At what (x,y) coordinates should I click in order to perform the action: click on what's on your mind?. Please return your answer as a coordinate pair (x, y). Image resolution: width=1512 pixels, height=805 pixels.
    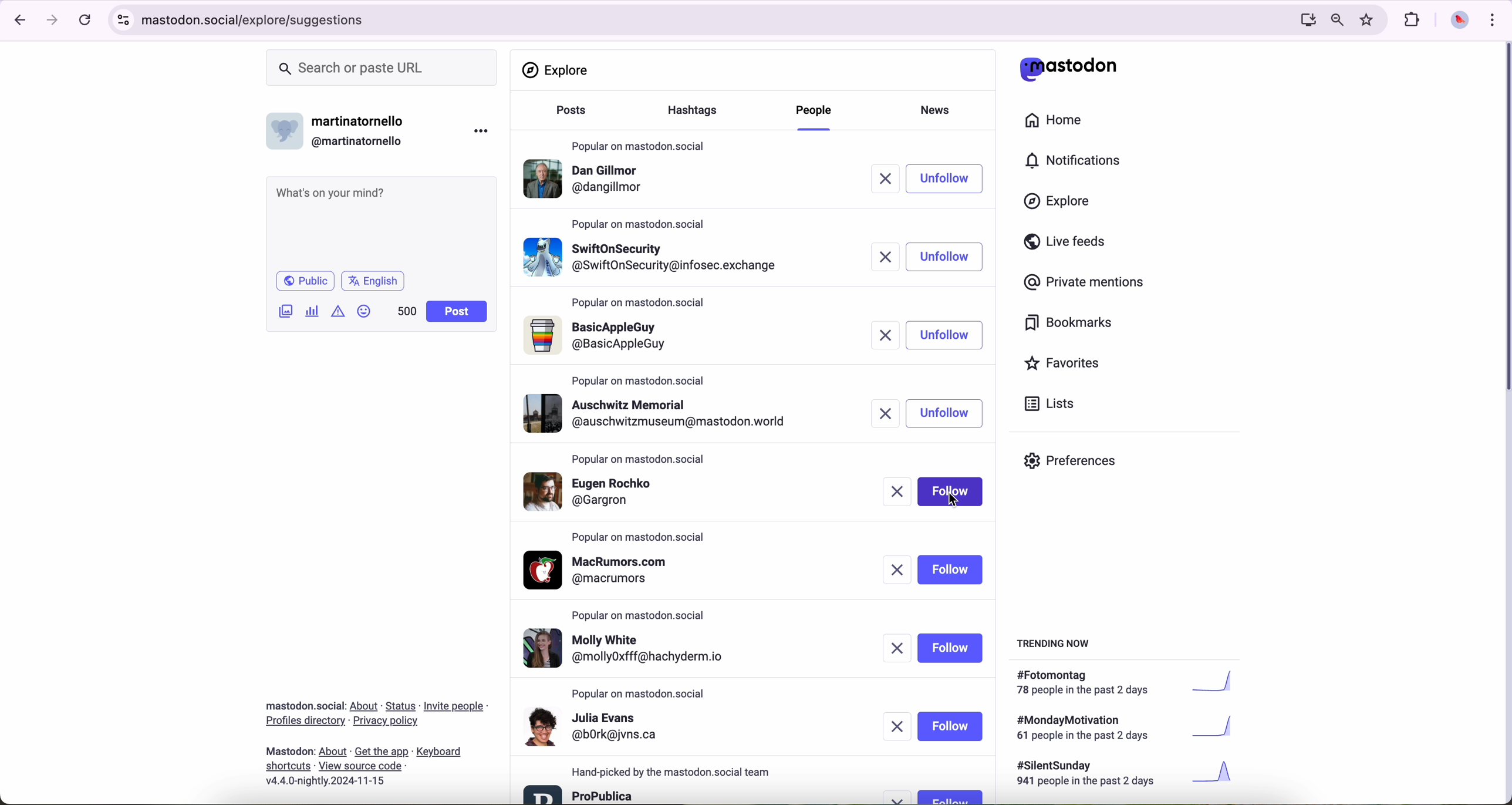
    Looking at the image, I should click on (380, 221).